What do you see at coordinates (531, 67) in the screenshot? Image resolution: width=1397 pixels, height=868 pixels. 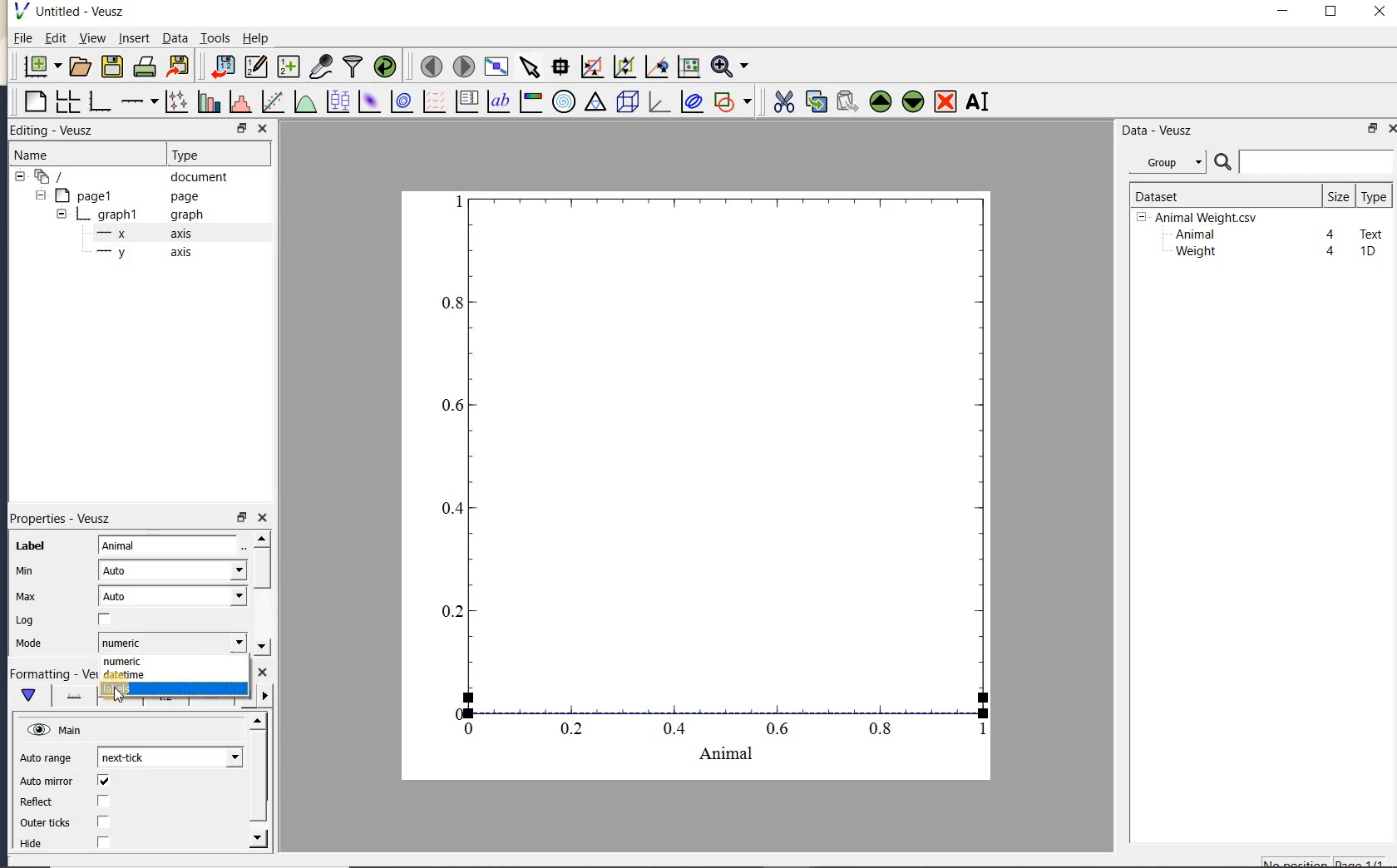 I see `select items from the graph or scroll` at bounding box center [531, 67].